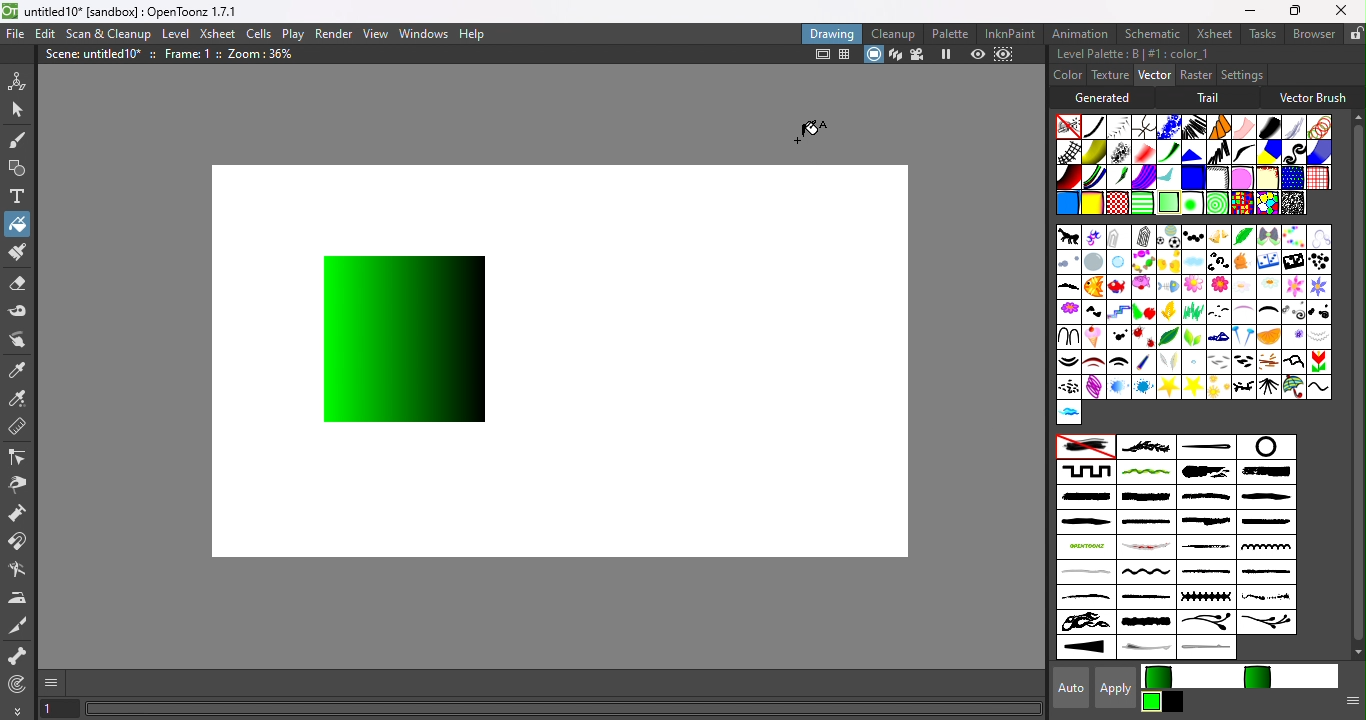 The image size is (1366, 720). What do you see at coordinates (1084, 623) in the screenshot?
I see `stencil_flame` at bounding box center [1084, 623].